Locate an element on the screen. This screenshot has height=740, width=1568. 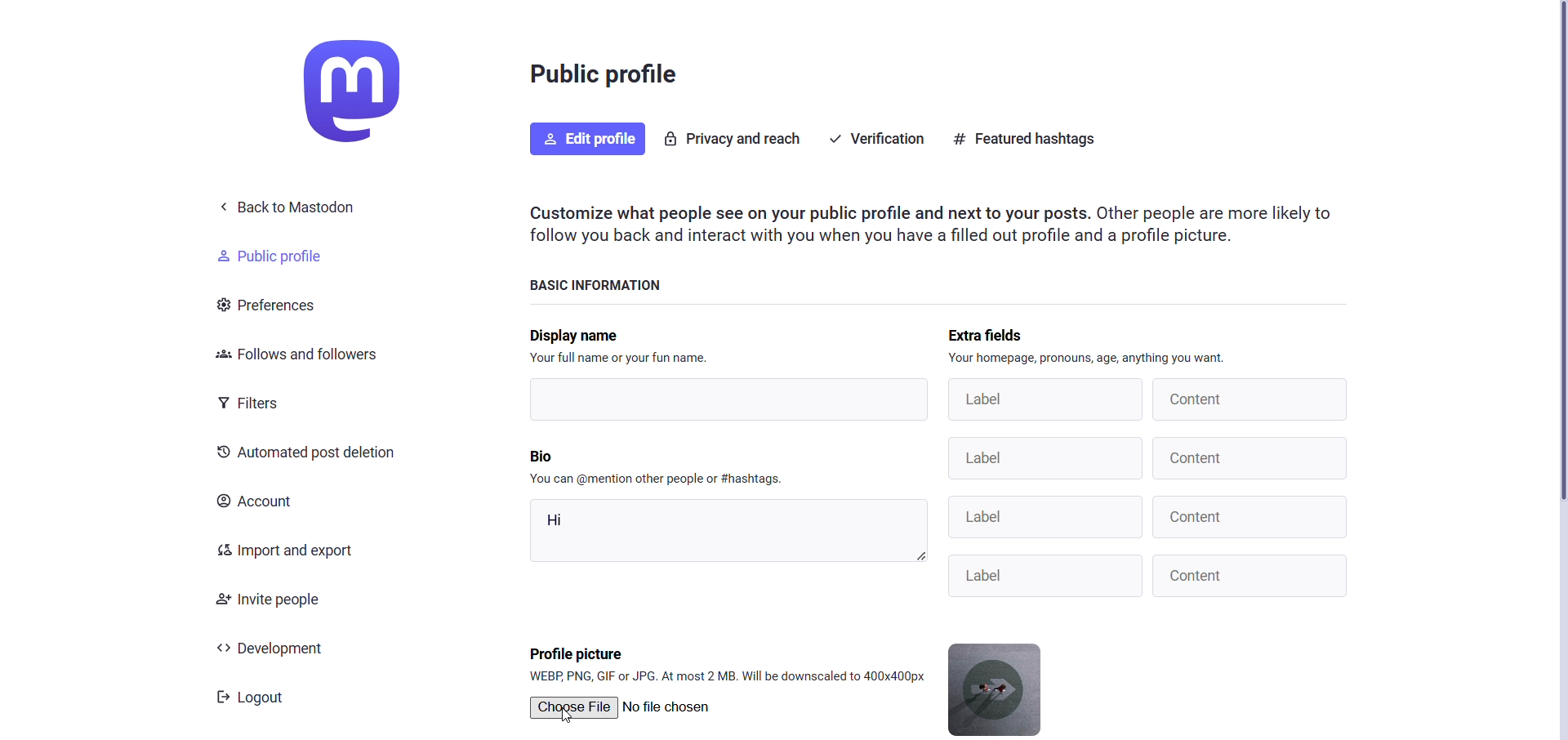
instruction is located at coordinates (1089, 359).